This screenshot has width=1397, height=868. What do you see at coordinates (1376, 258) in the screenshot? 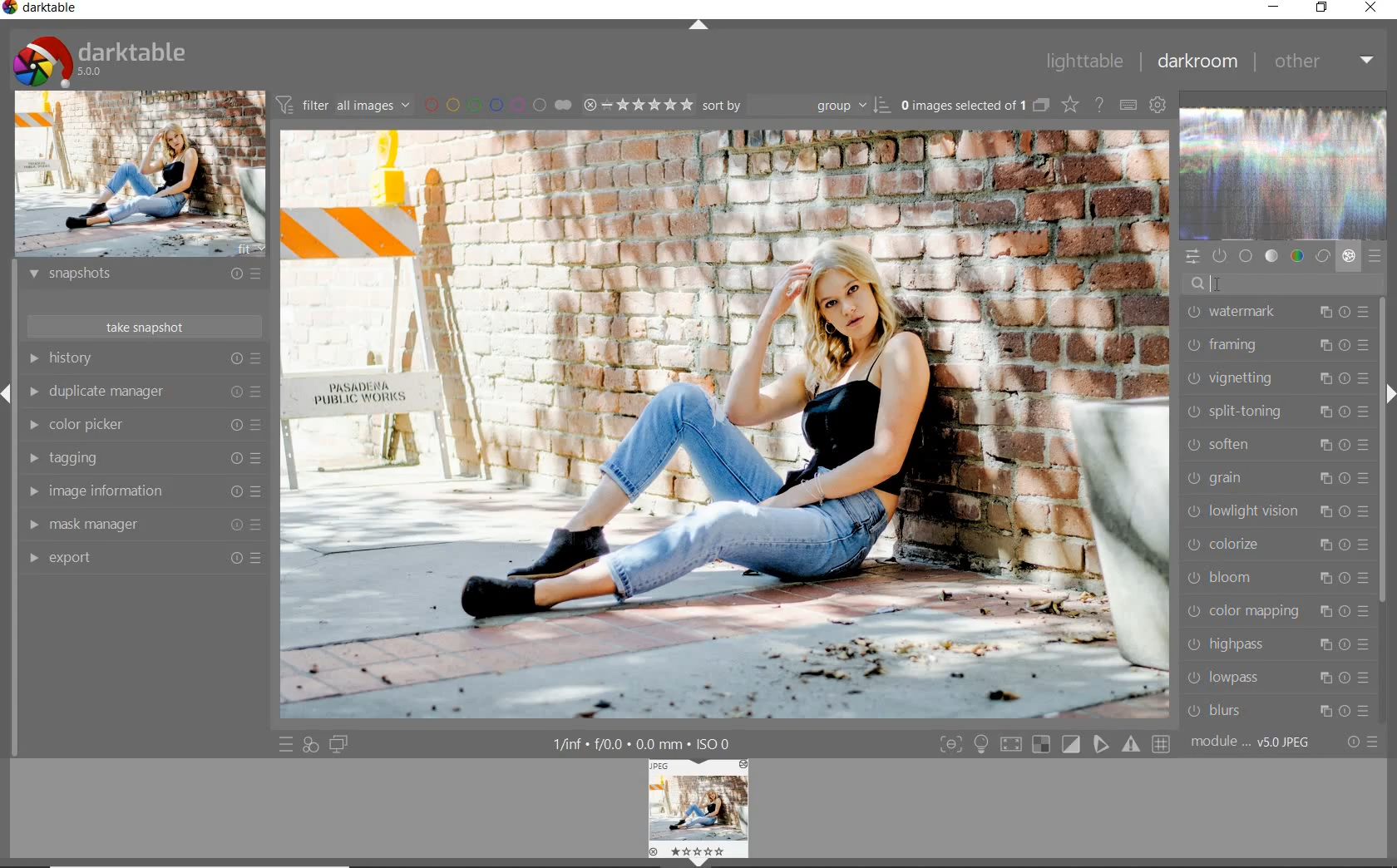
I see `presets` at bounding box center [1376, 258].